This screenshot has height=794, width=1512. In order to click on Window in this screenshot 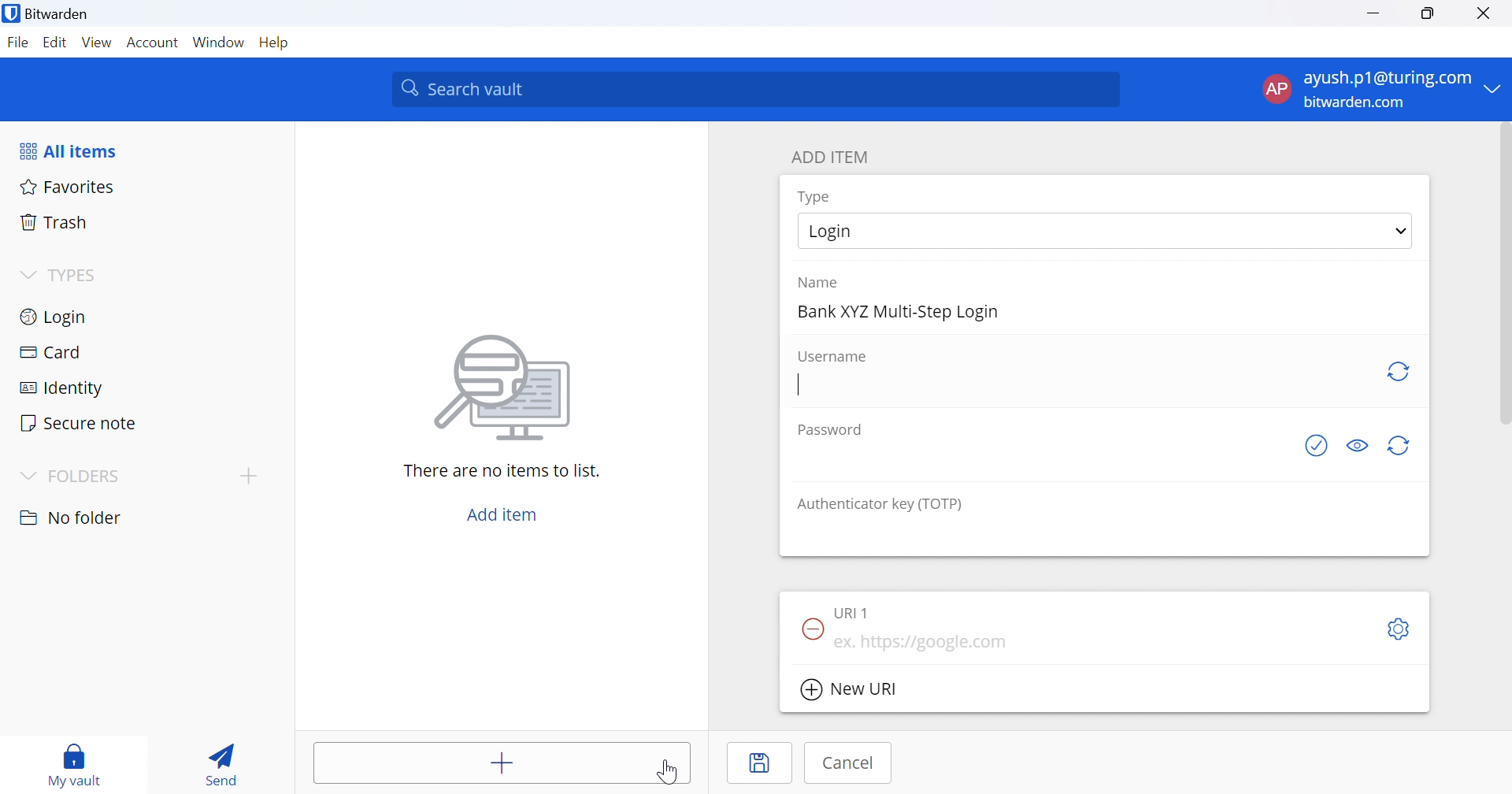, I will do `click(218, 42)`.